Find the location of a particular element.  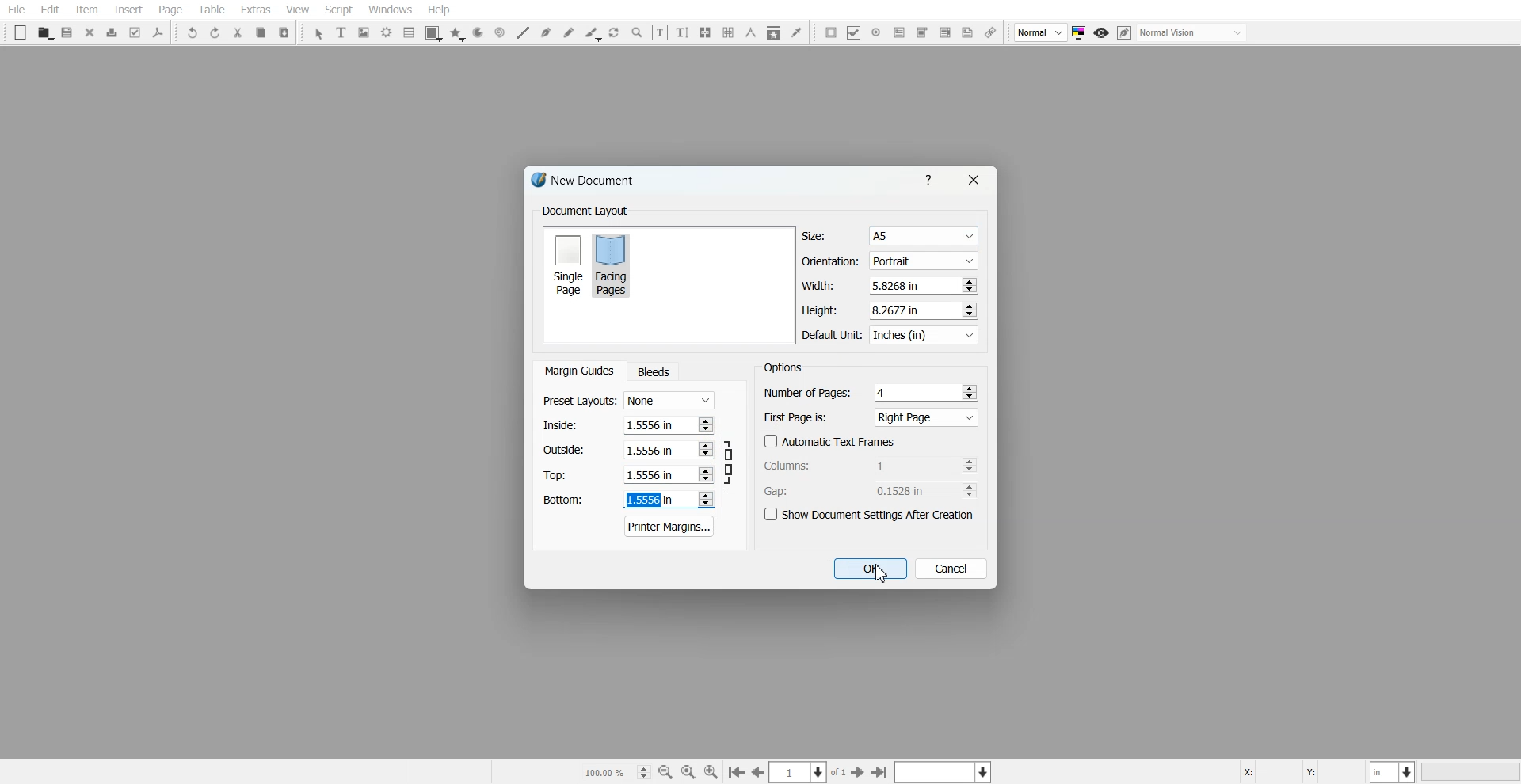

Extras is located at coordinates (255, 10).